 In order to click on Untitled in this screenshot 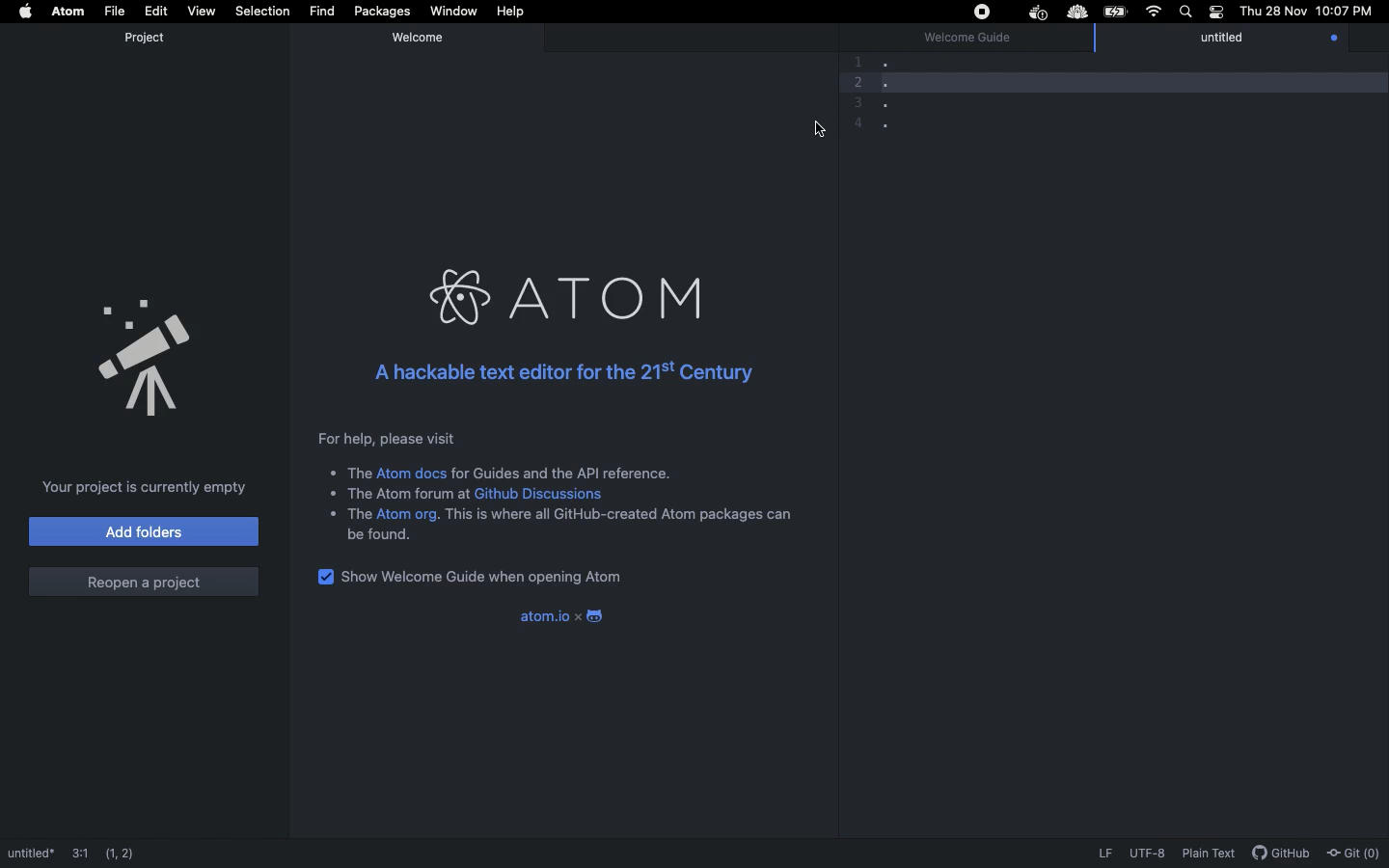, I will do `click(1239, 40)`.